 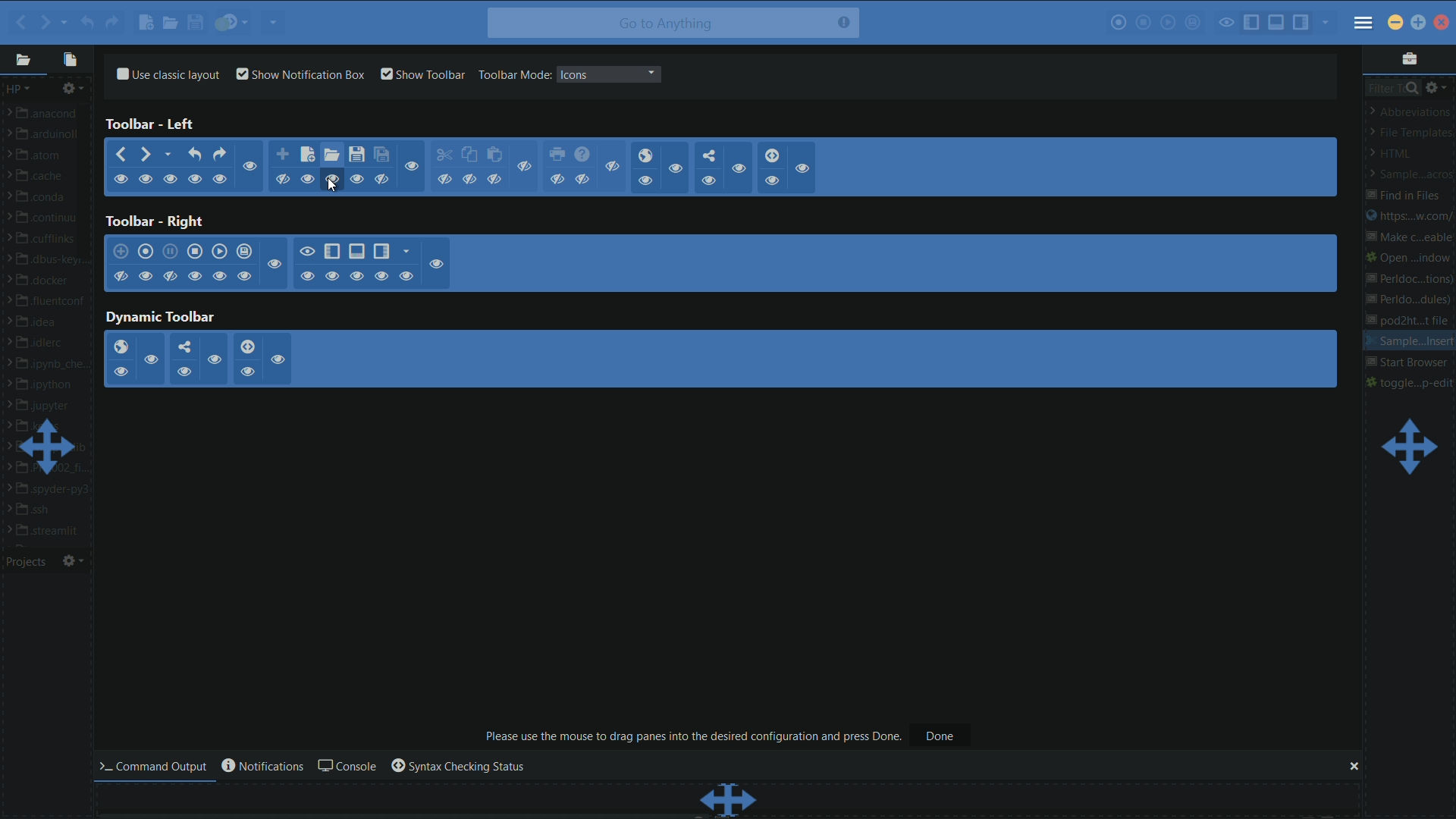 I want to click on hide/show, so click(x=246, y=372).